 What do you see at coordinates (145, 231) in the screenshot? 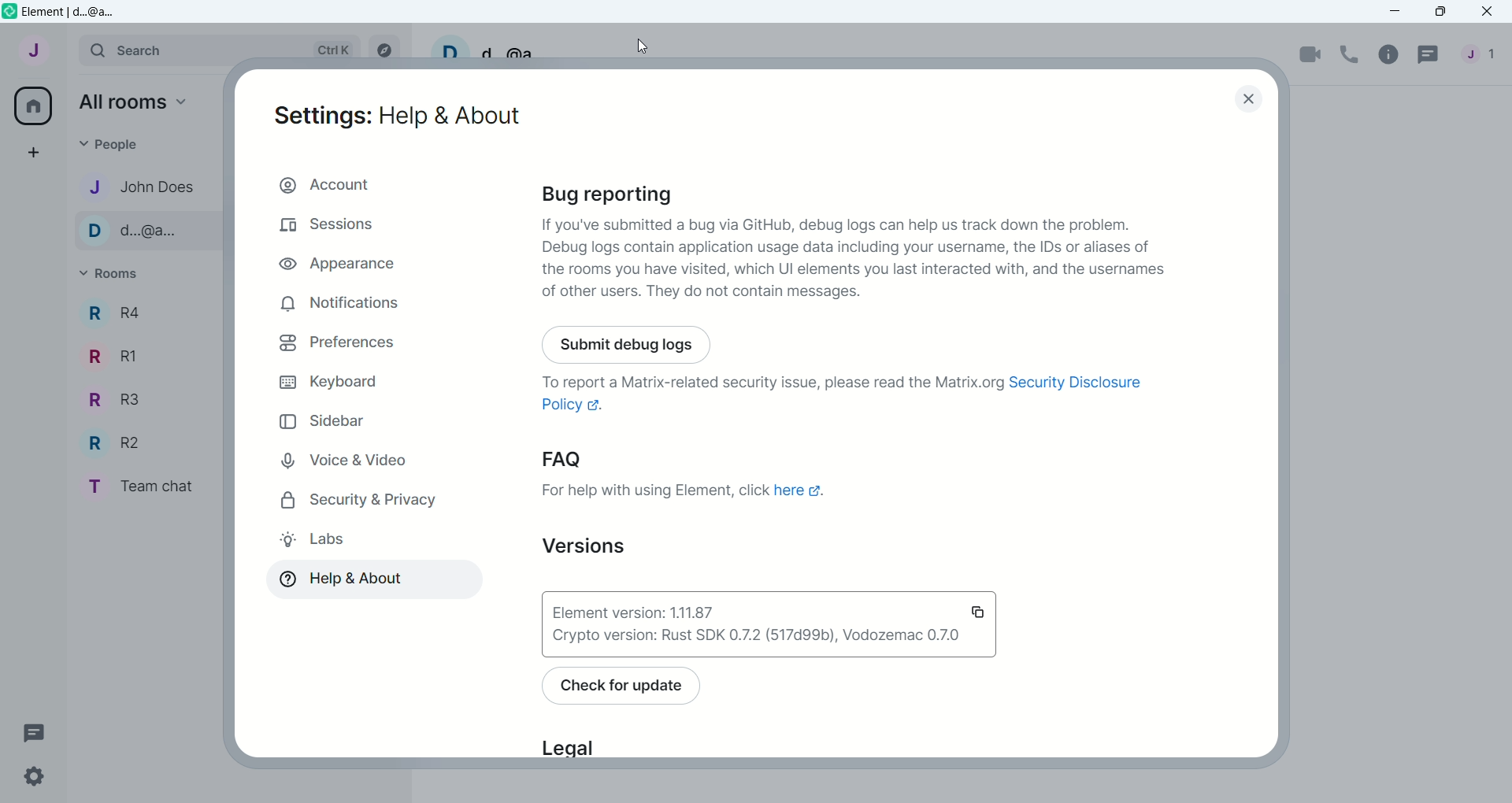
I see `Contact name` at bounding box center [145, 231].